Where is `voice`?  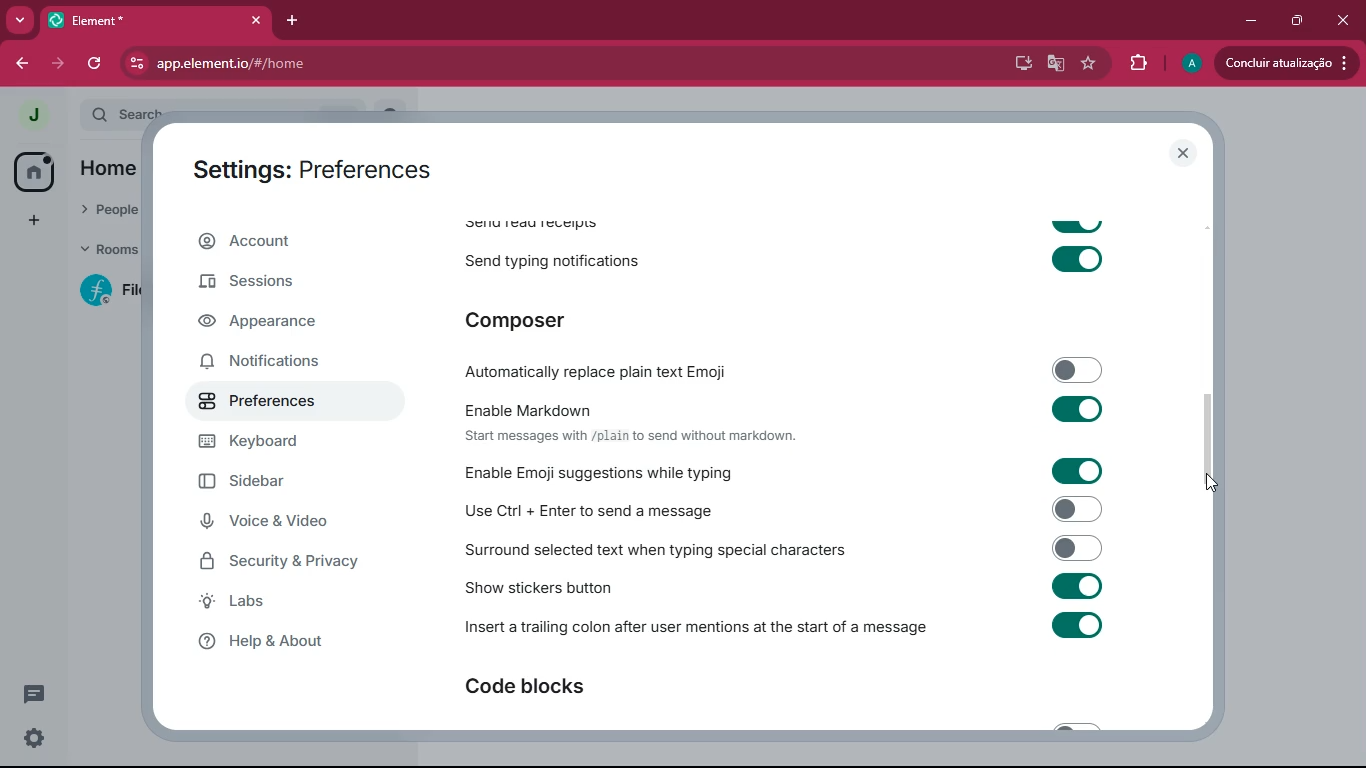
voice is located at coordinates (277, 523).